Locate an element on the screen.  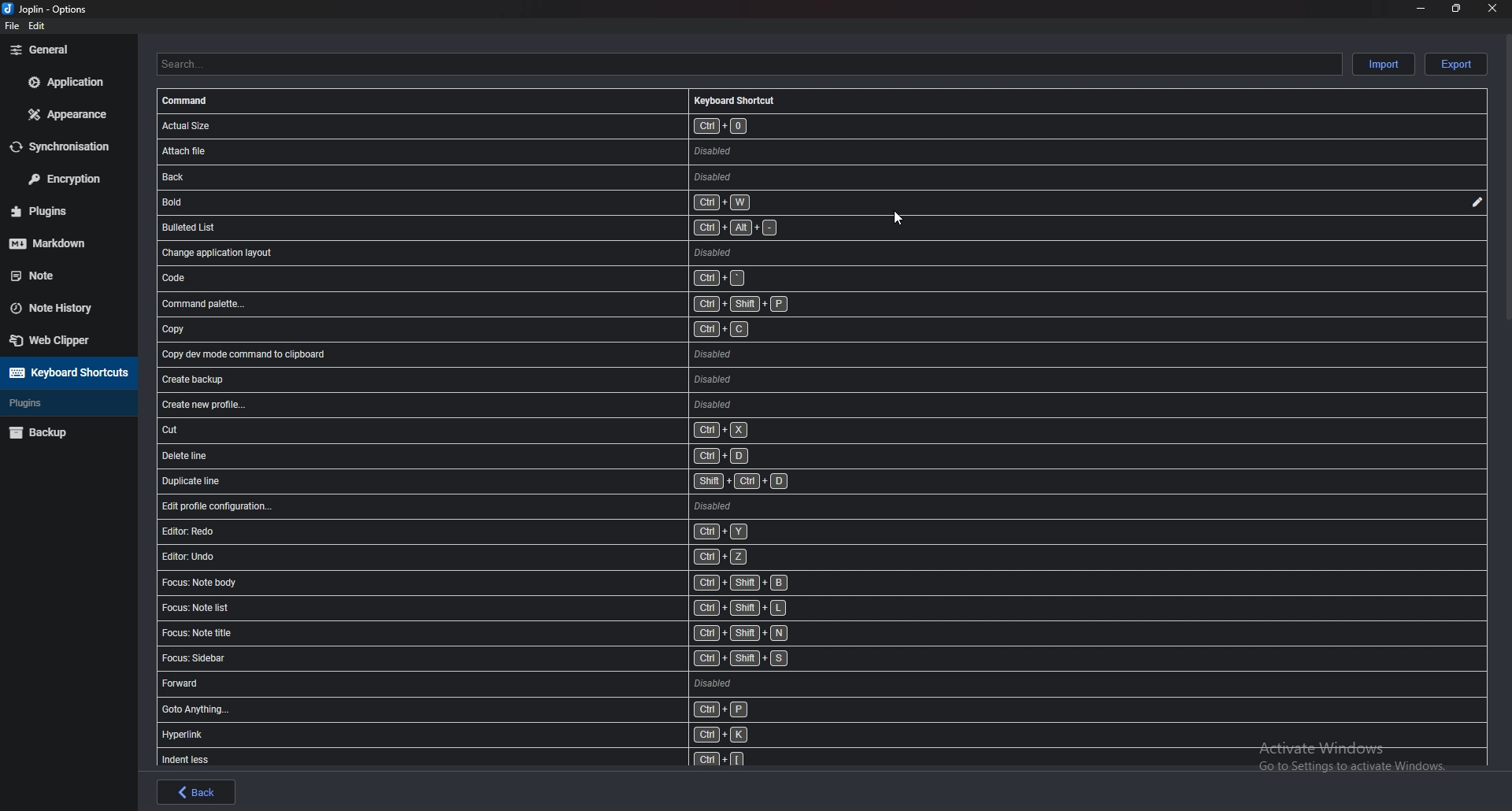
Export is located at coordinates (1458, 65).